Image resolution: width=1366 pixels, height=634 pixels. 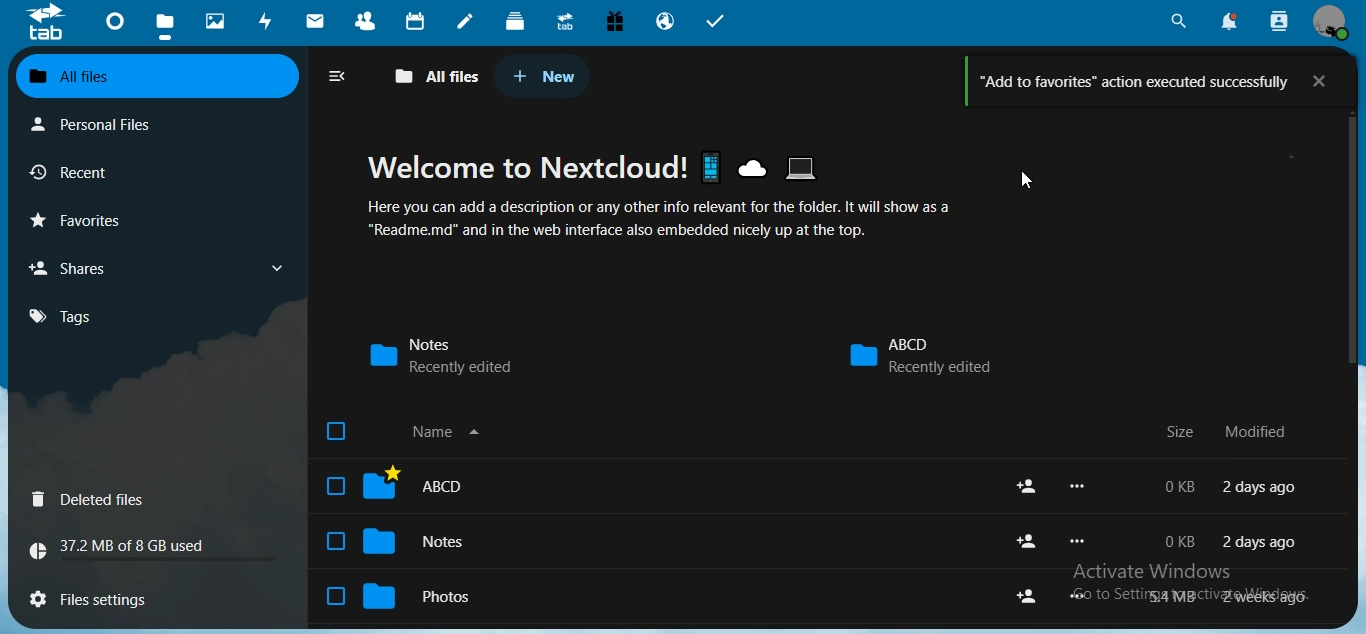 What do you see at coordinates (615, 23) in the screenshot?
I see `free email` at bounding box center [615, 23].